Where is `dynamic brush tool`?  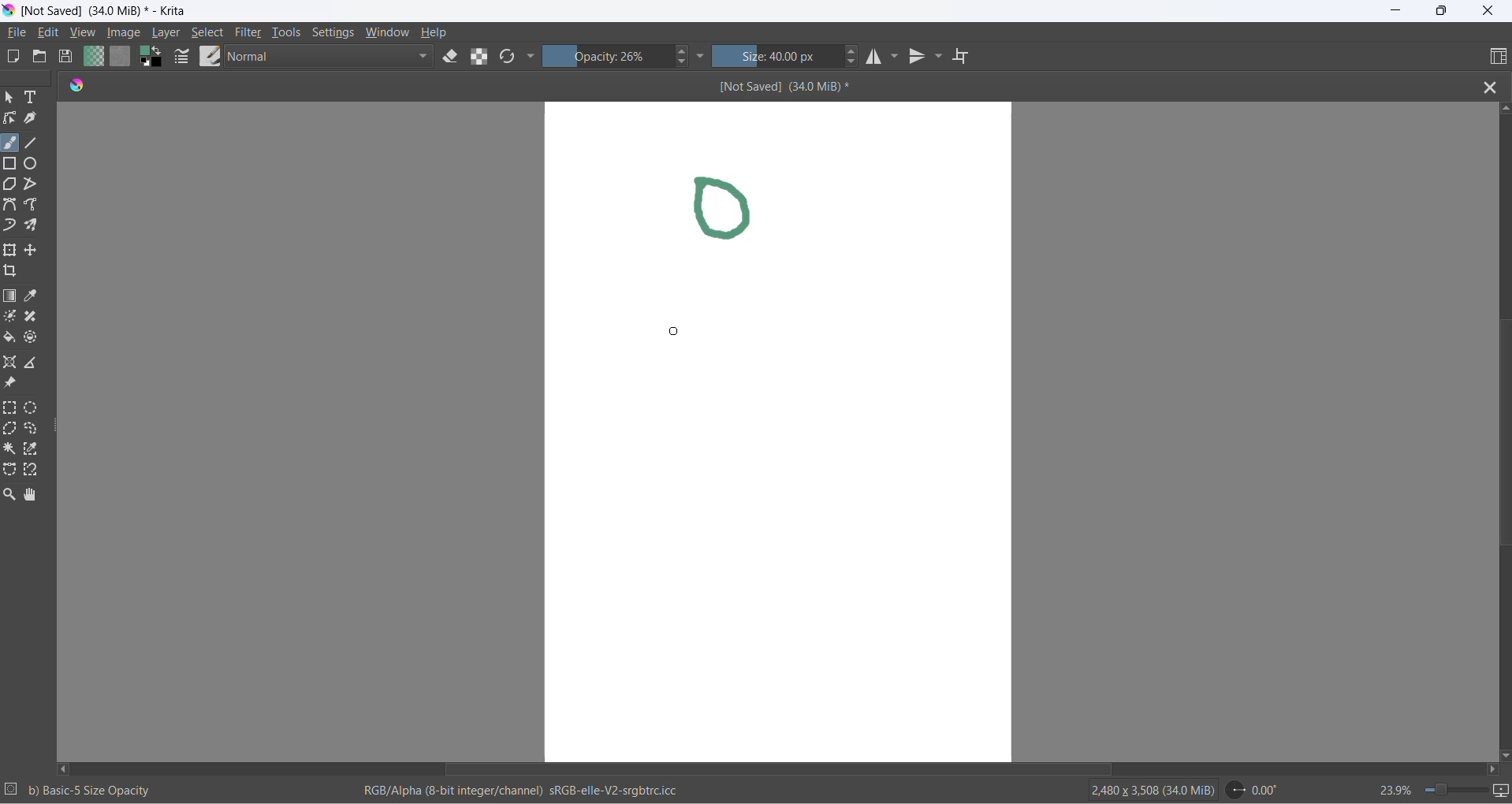 dynamic brush tool is located at coordinates (13, 225).